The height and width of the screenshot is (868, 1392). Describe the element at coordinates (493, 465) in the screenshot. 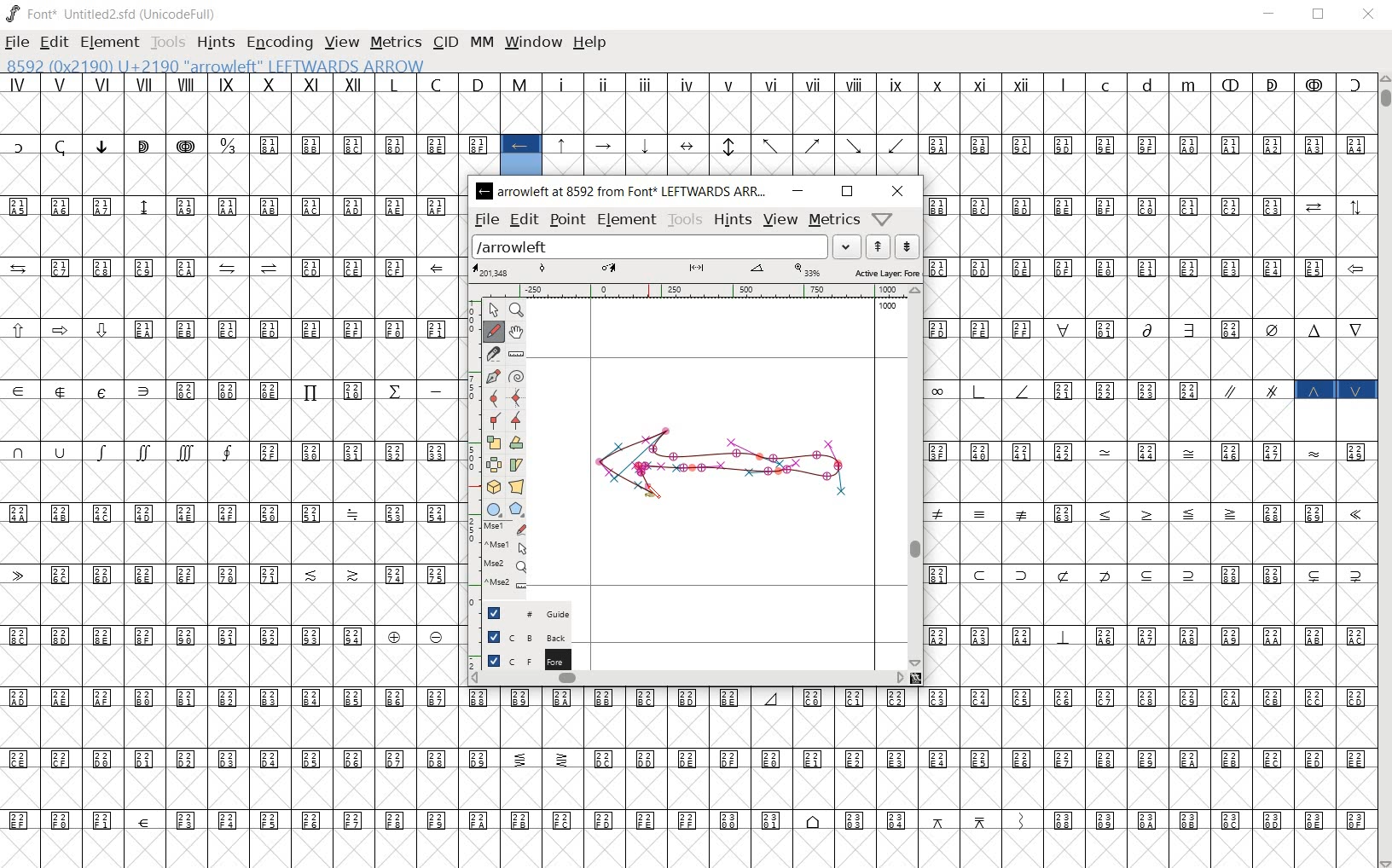

I see `flip the selection` at that location.